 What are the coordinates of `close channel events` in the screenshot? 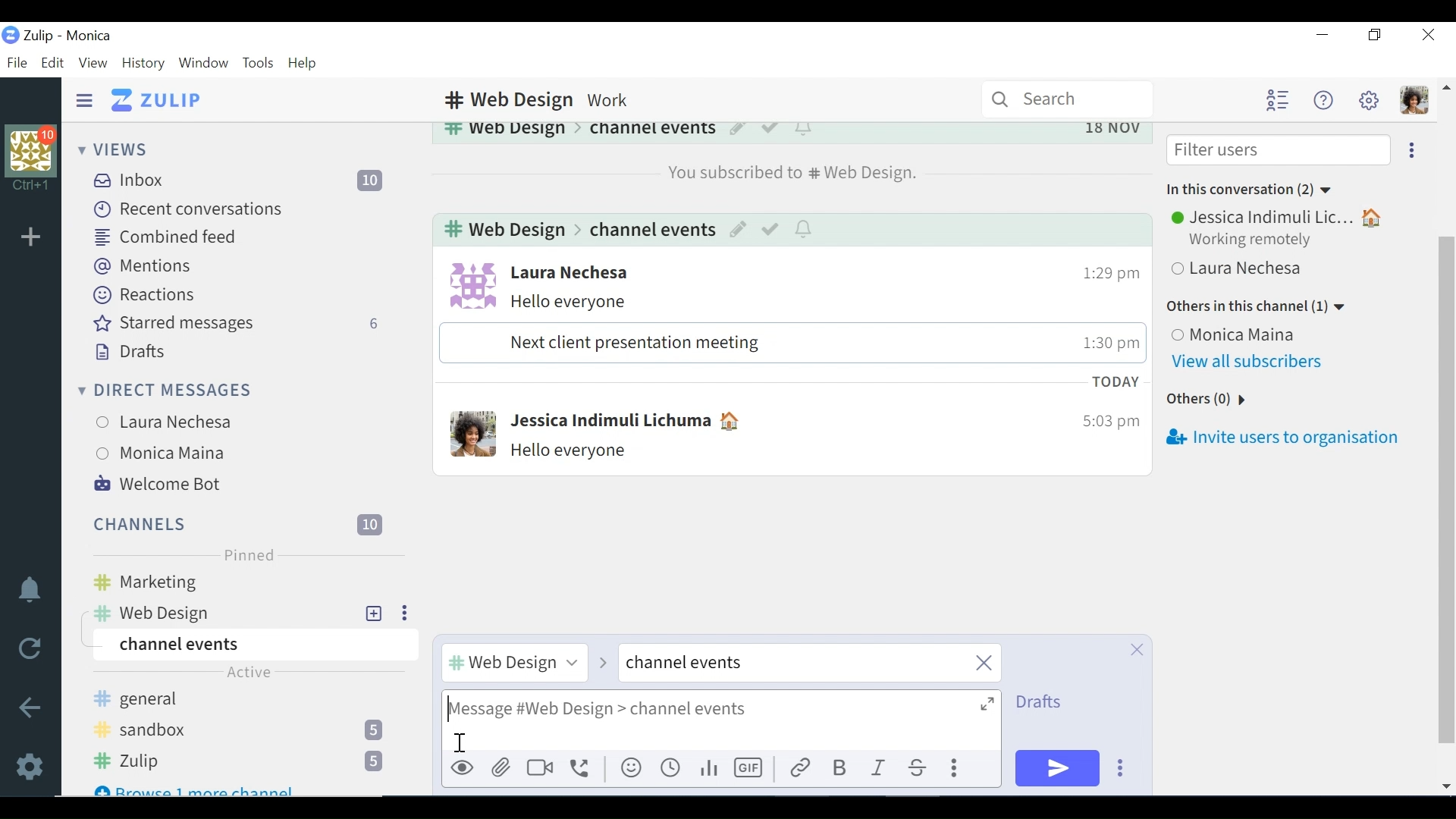 It's located at (809, 664).